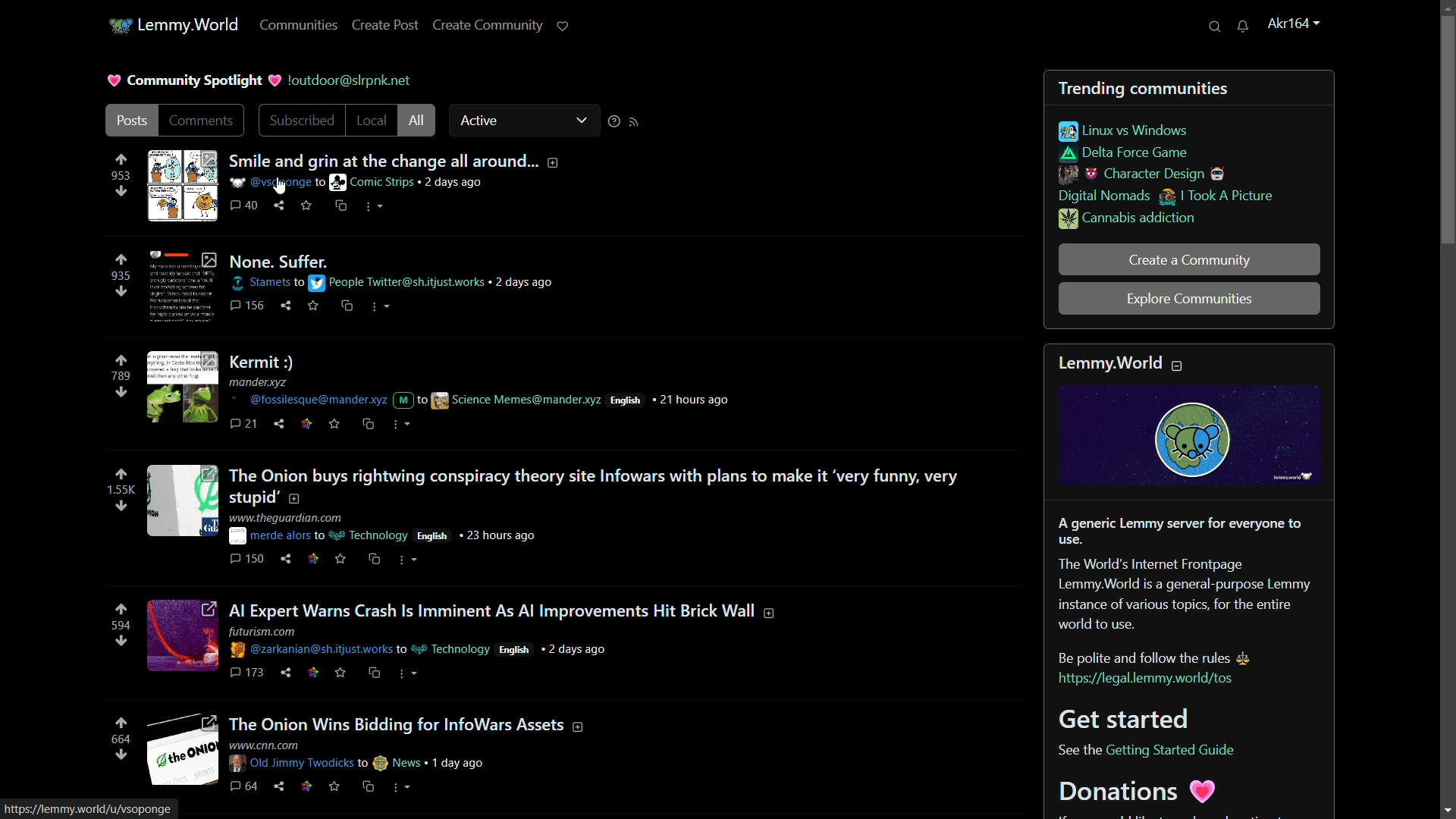 This screenshot has height=819, width=1456. Describe the element at coordinates (367, 786) in the screenshot. I see `cs` at that location.